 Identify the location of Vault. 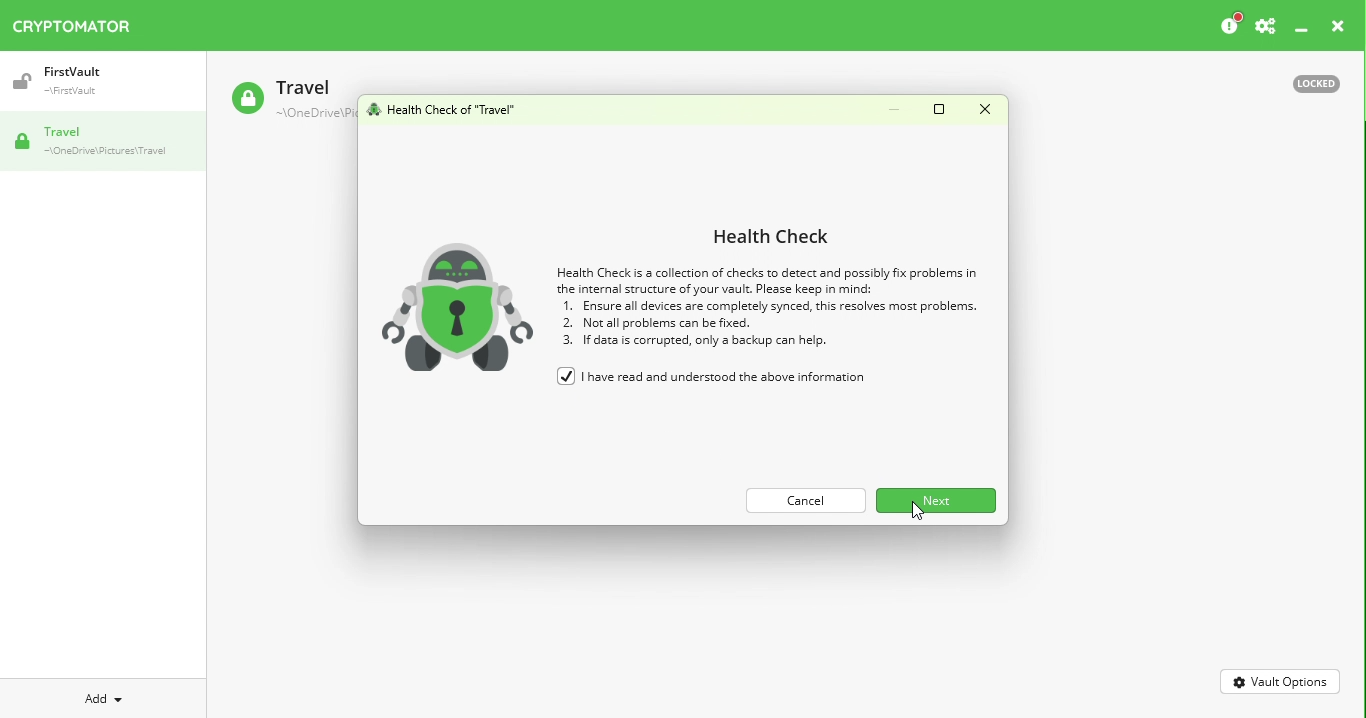
(92, 143).